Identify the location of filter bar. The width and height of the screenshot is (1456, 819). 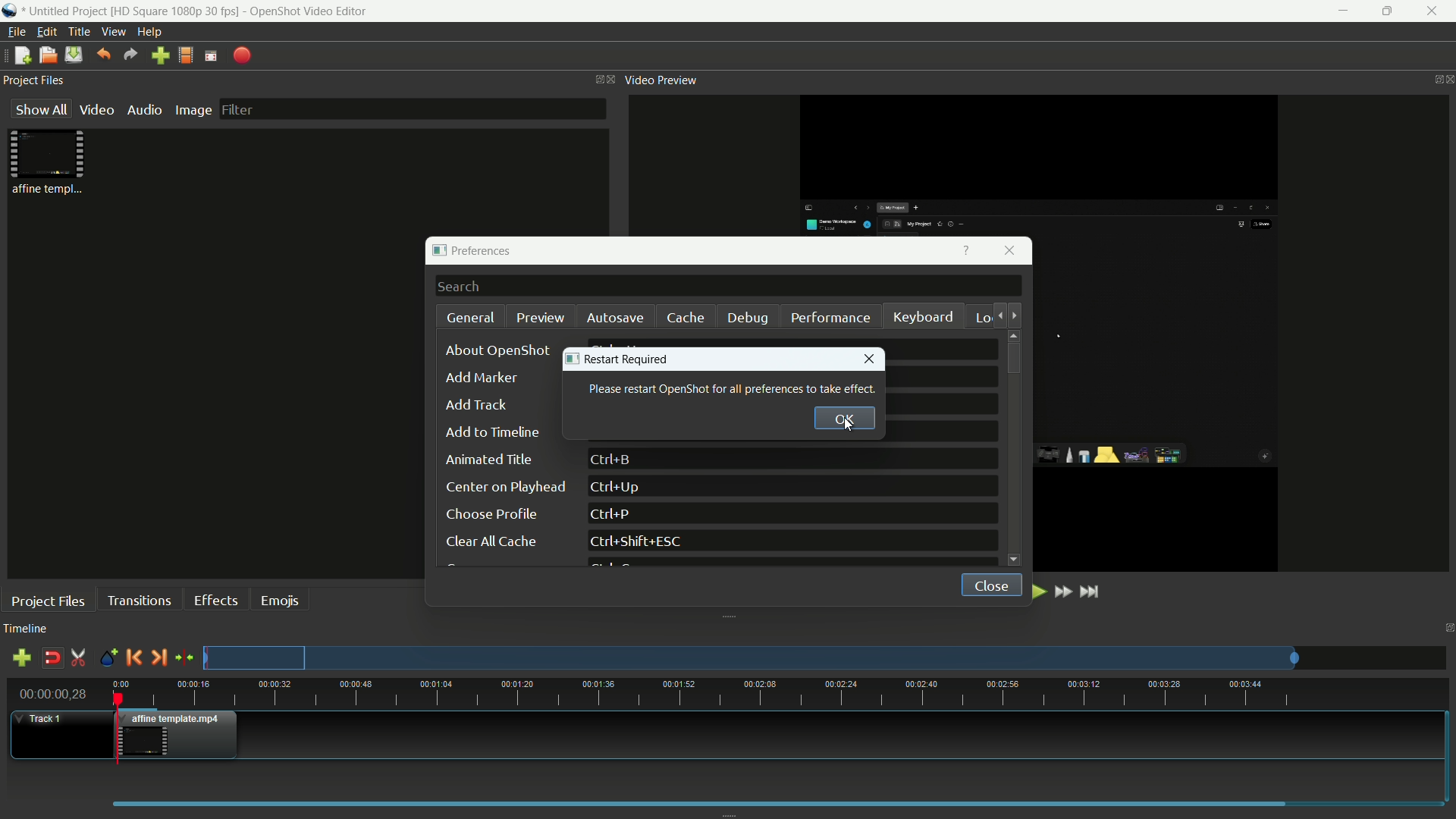
(411, 108).